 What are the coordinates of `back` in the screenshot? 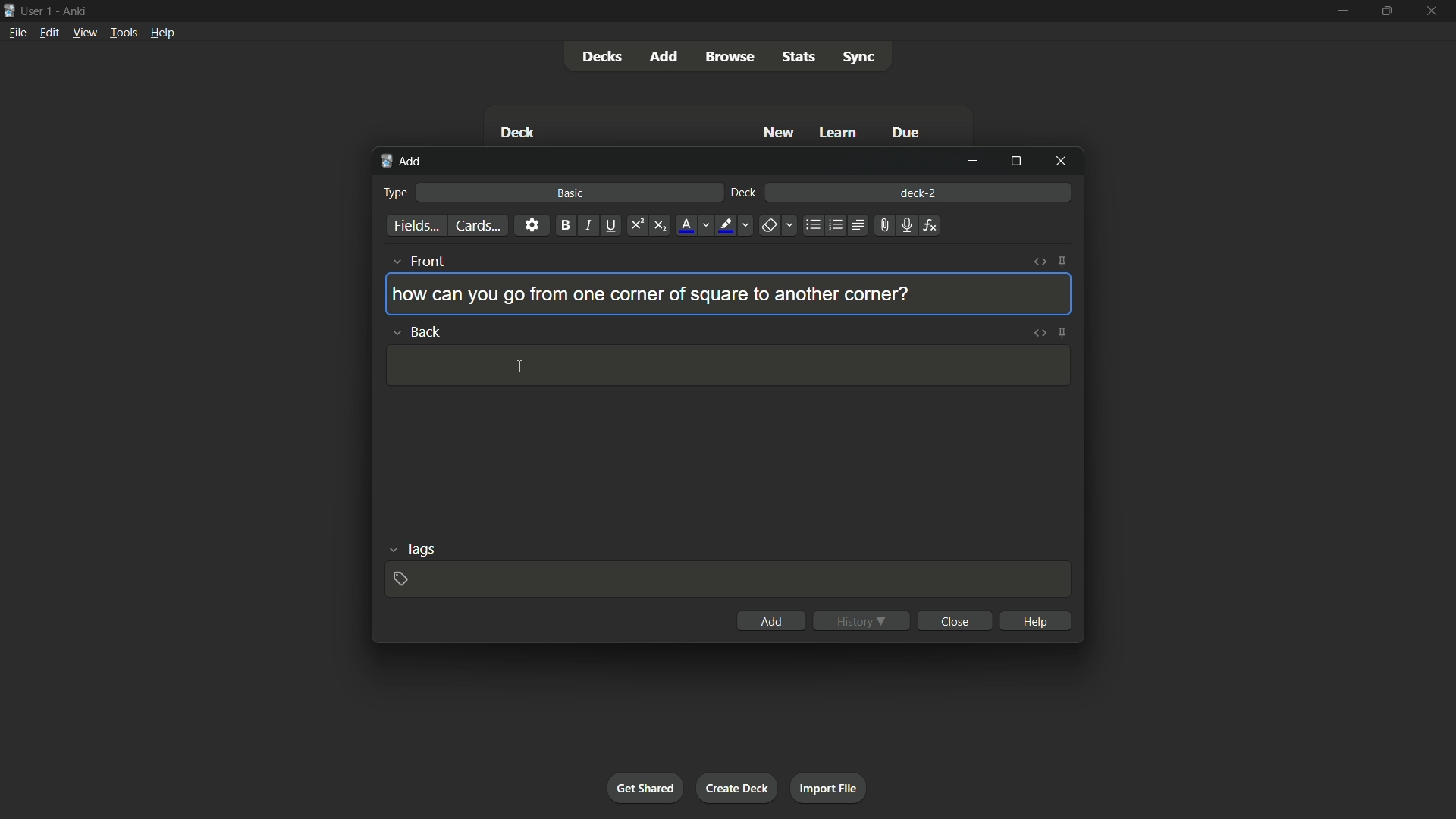 It's located at (417, 333).